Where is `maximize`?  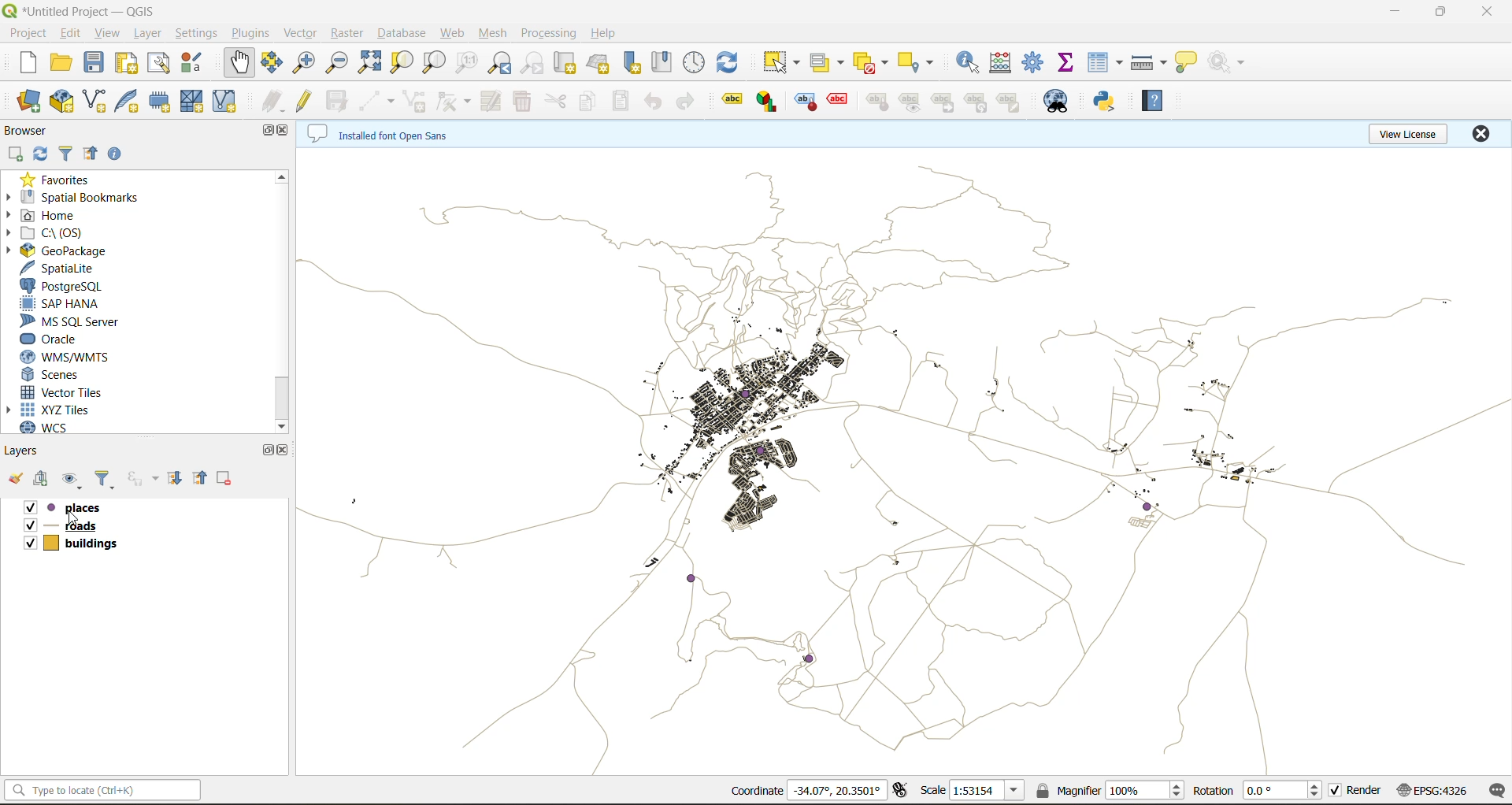
maximize is located at coordinates (263, 132).